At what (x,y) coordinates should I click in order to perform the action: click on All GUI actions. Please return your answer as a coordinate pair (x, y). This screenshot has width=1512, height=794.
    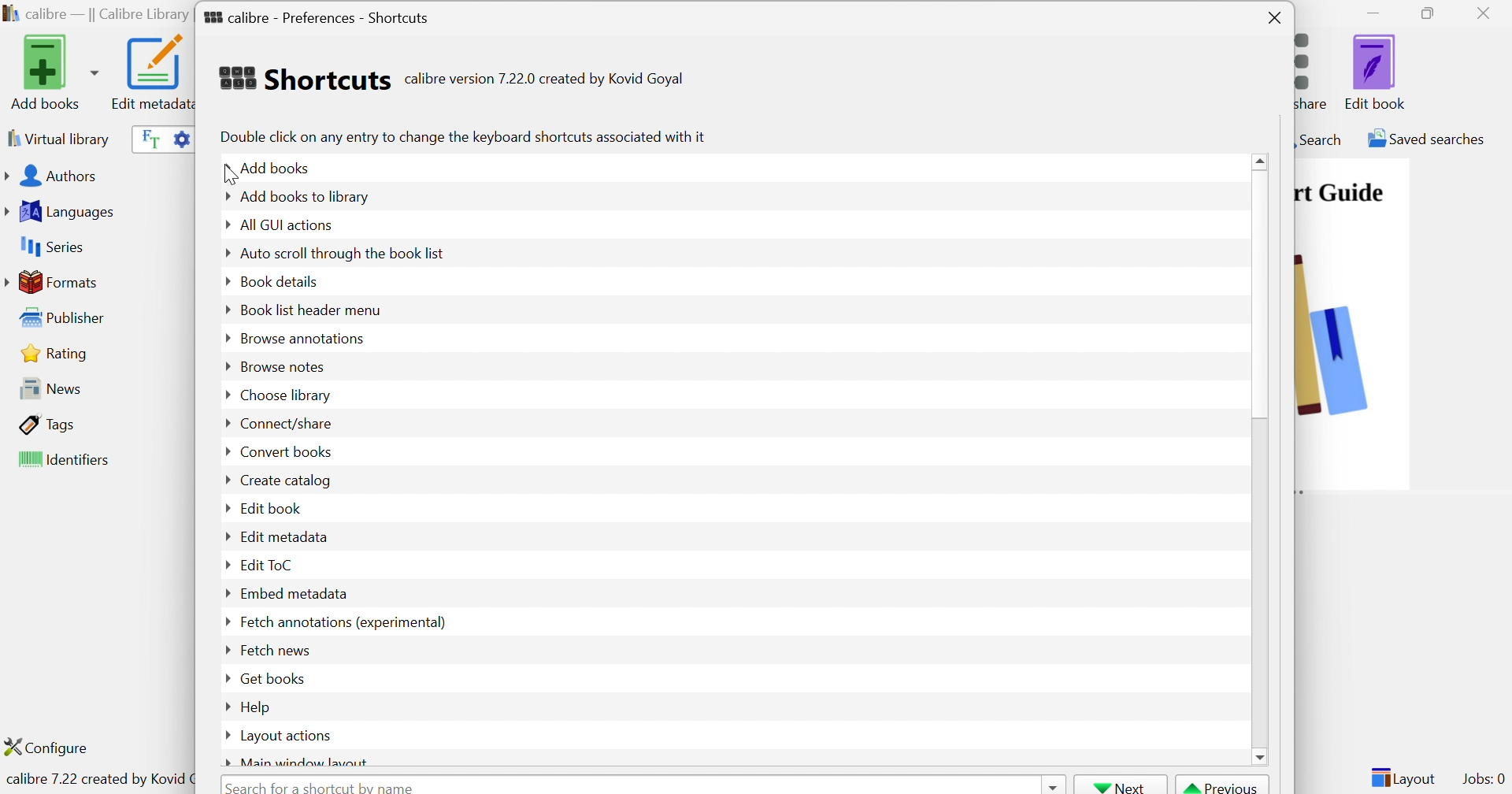
    Looking at the image, I should click on (284, 224).